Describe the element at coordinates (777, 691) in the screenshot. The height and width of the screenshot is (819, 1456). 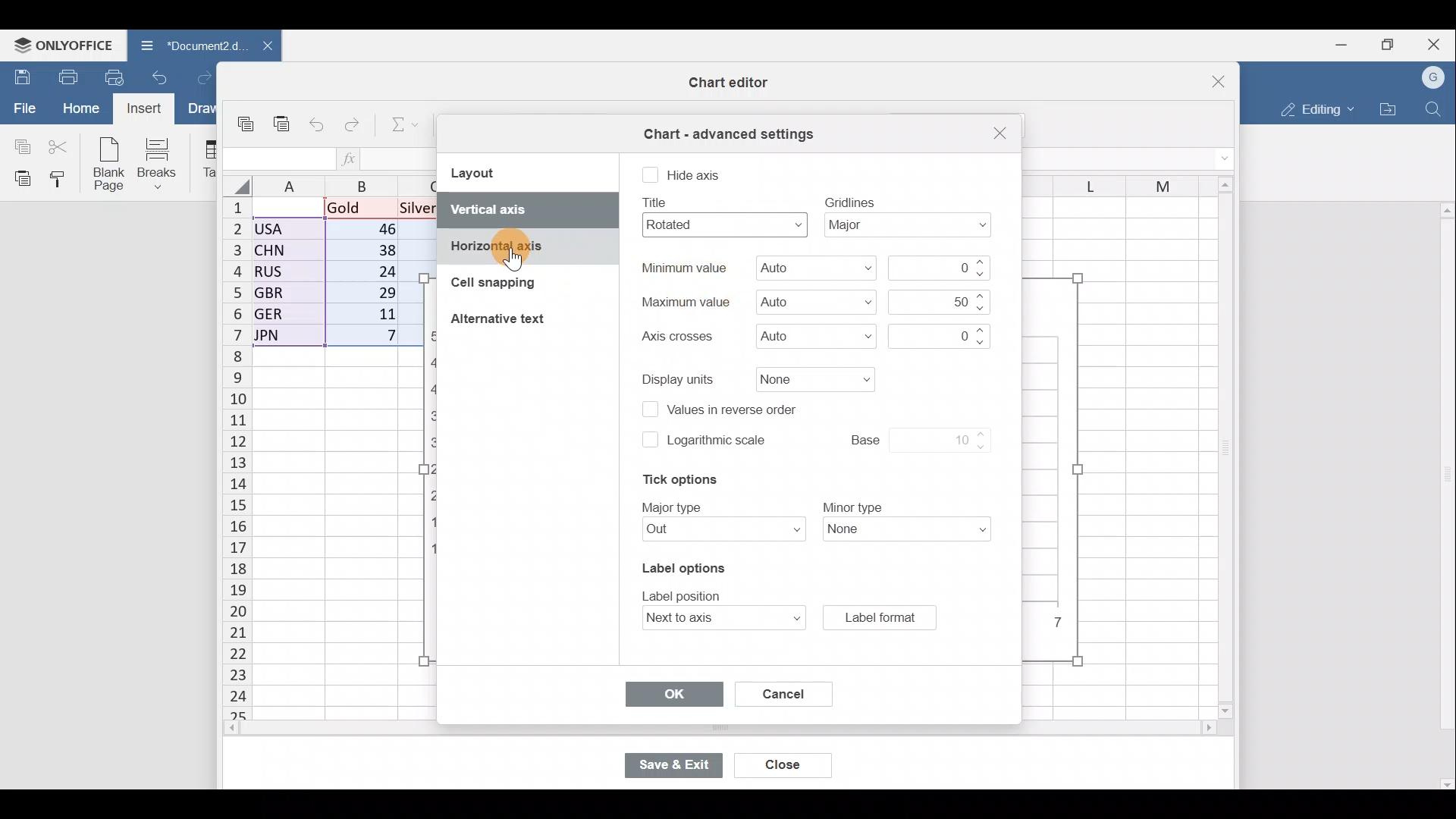
I see `Cancel` at that location.